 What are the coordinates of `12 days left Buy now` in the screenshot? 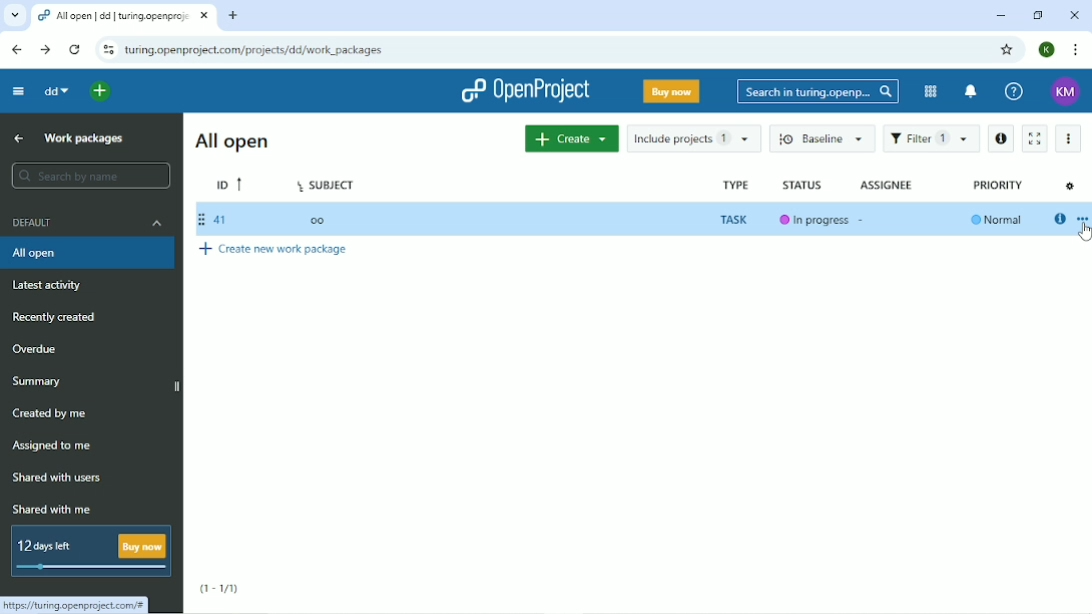 It's located at (89, 552).